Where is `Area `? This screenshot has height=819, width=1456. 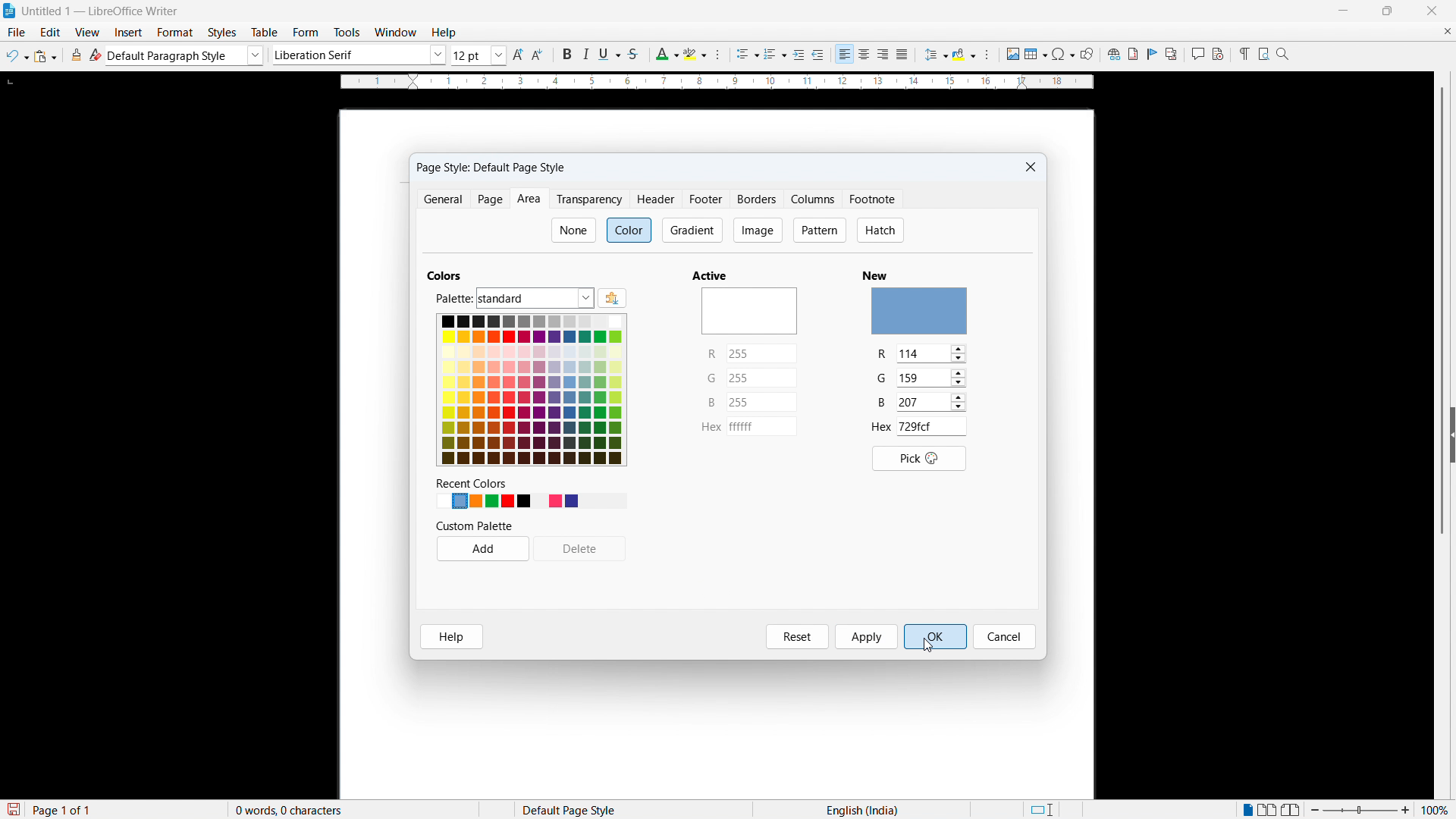
Area  is located at coordinates (530, 199).